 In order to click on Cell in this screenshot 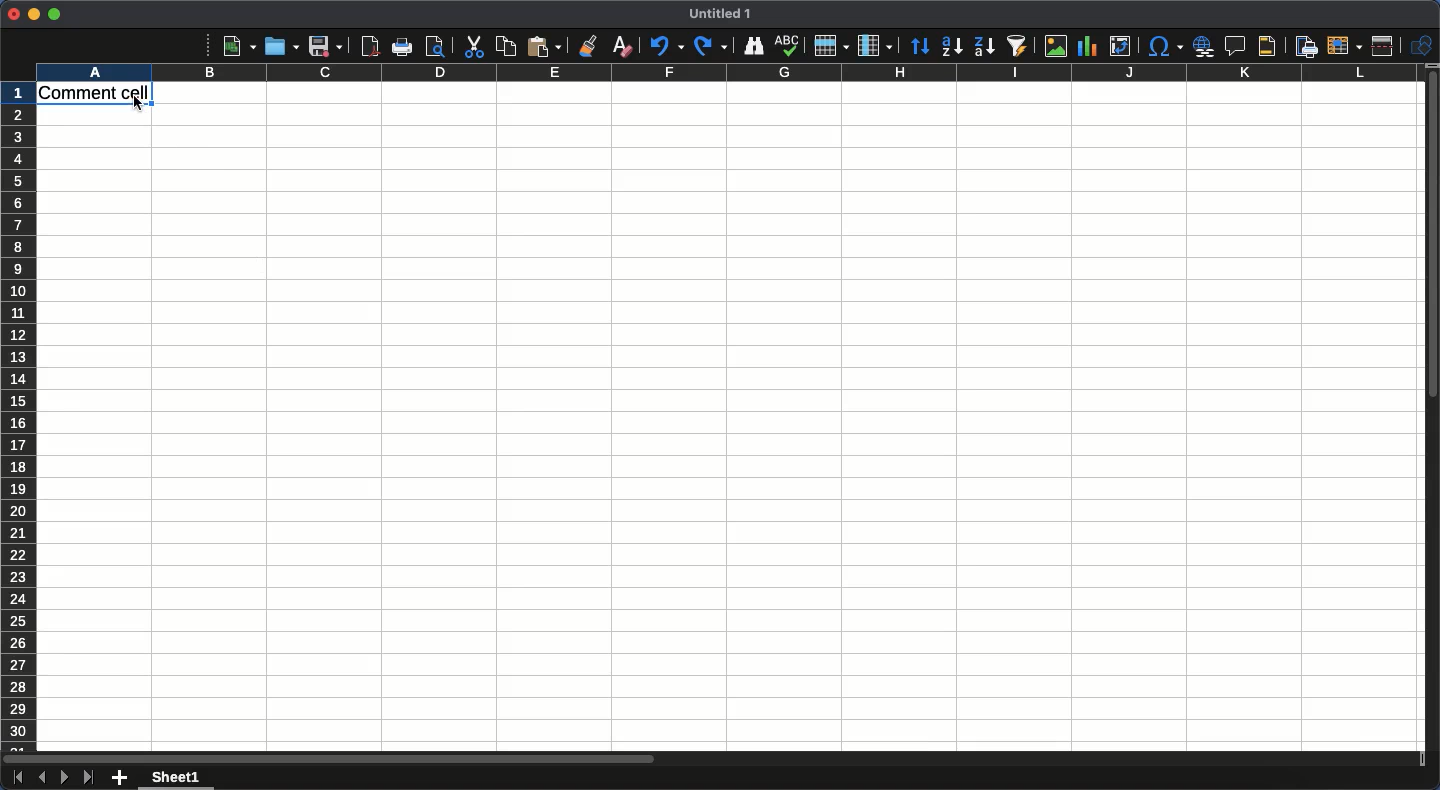, I will do `click(98, 96)`.